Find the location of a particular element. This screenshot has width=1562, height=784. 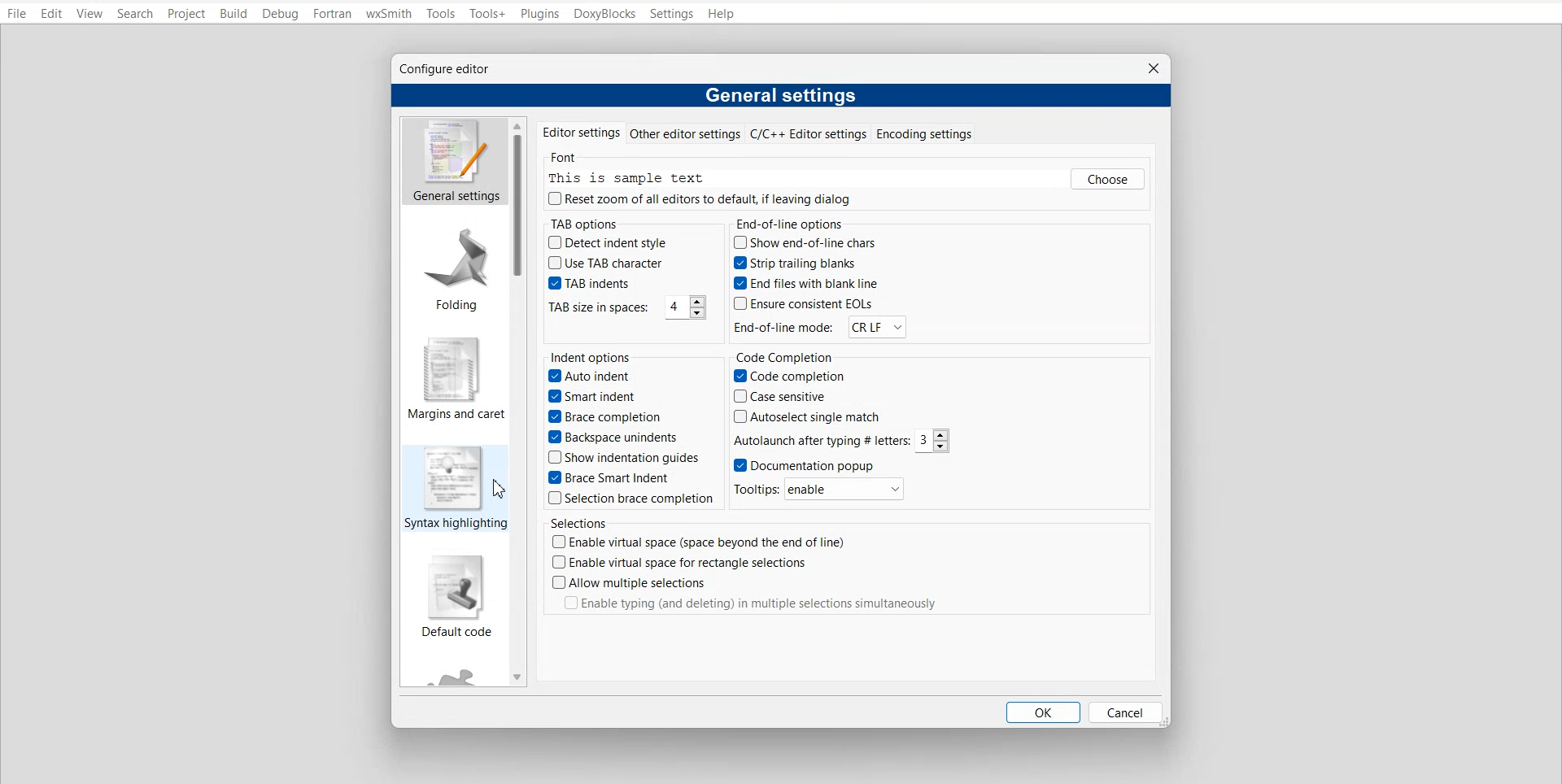

Documentation Popup is located at coordinates (804, 464).